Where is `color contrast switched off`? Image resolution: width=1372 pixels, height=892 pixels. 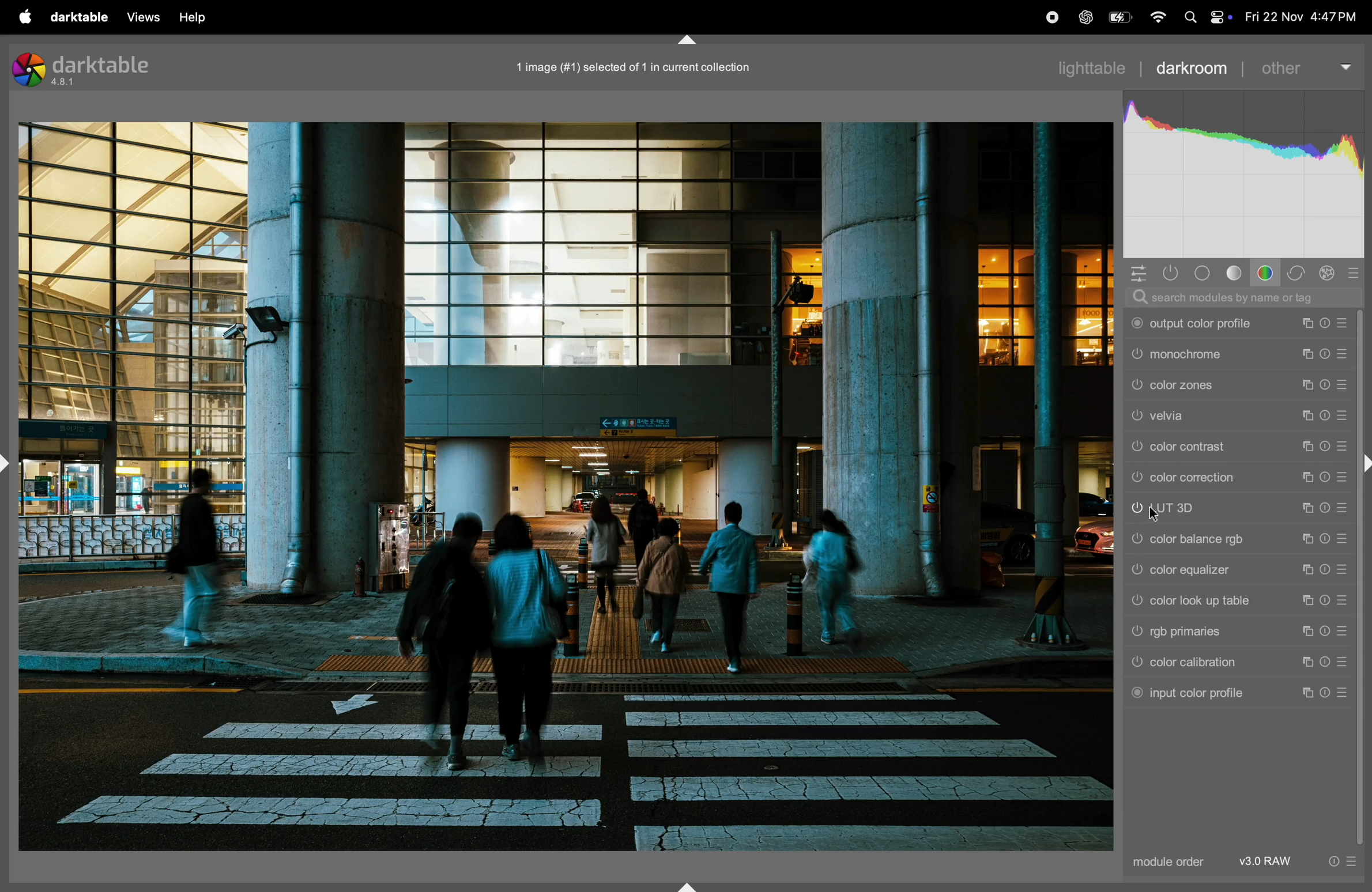 color contrast switched off is located at coordinates (1135, 450).